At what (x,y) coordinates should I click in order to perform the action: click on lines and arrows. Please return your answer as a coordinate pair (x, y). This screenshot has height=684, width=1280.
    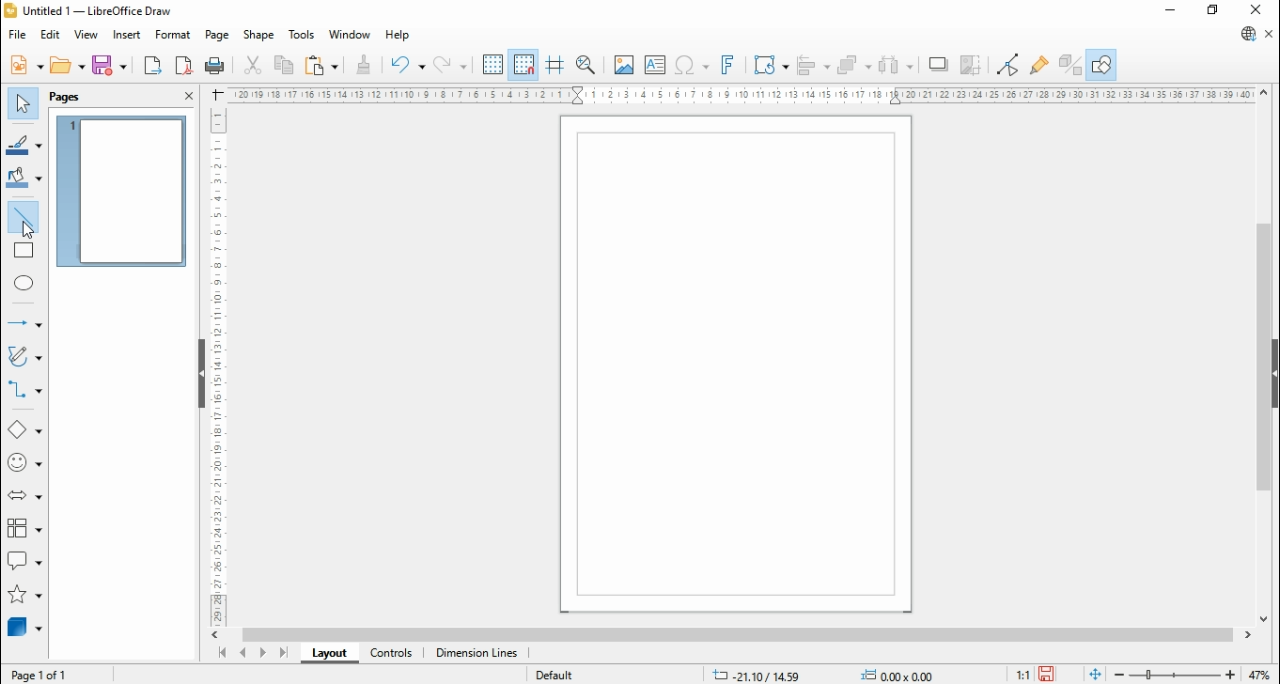
    Looking at the image, I should click on (22, 323).